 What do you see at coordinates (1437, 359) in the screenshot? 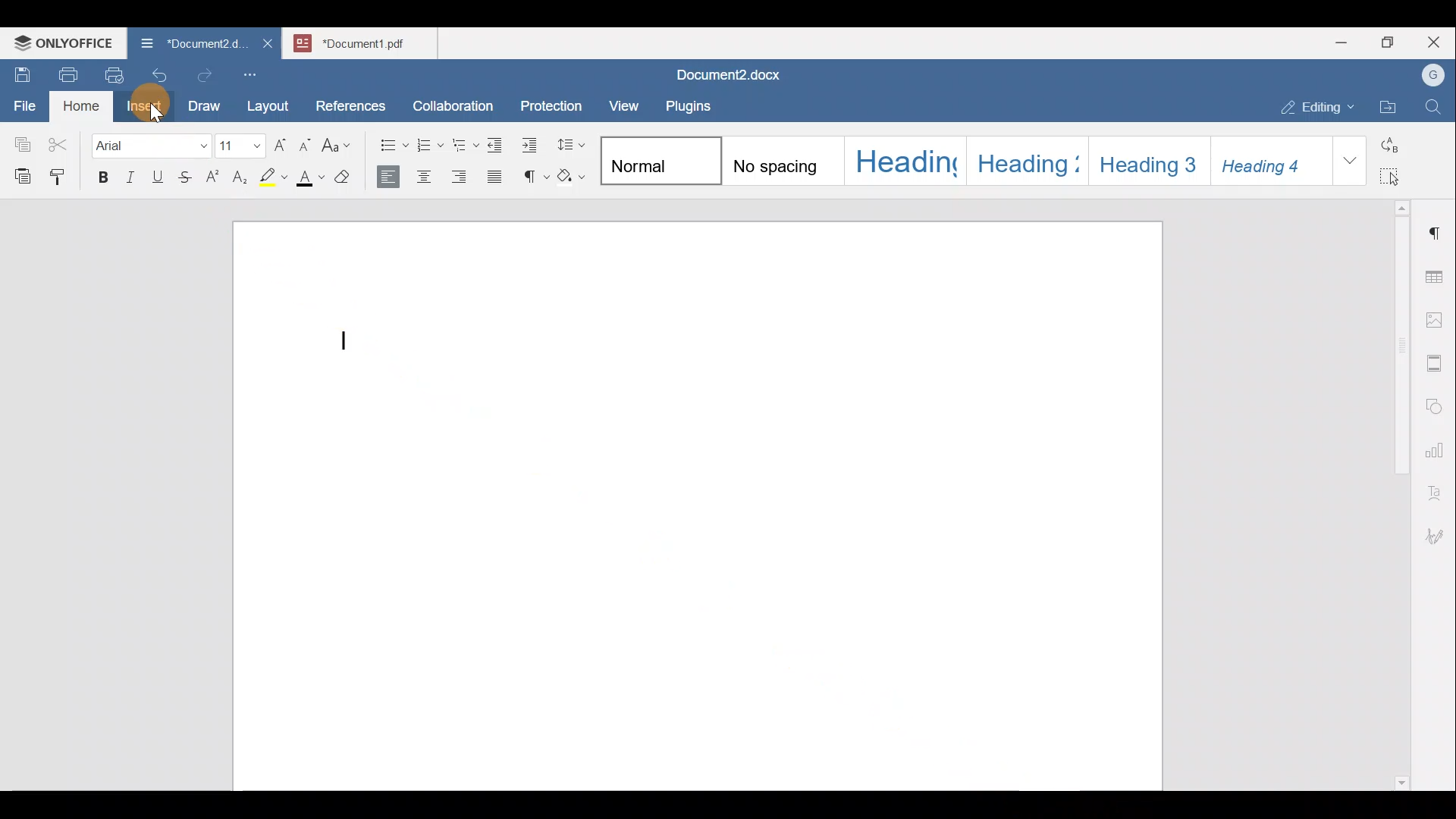
I see `Headers & footers` at bounding box center [1437, 359].